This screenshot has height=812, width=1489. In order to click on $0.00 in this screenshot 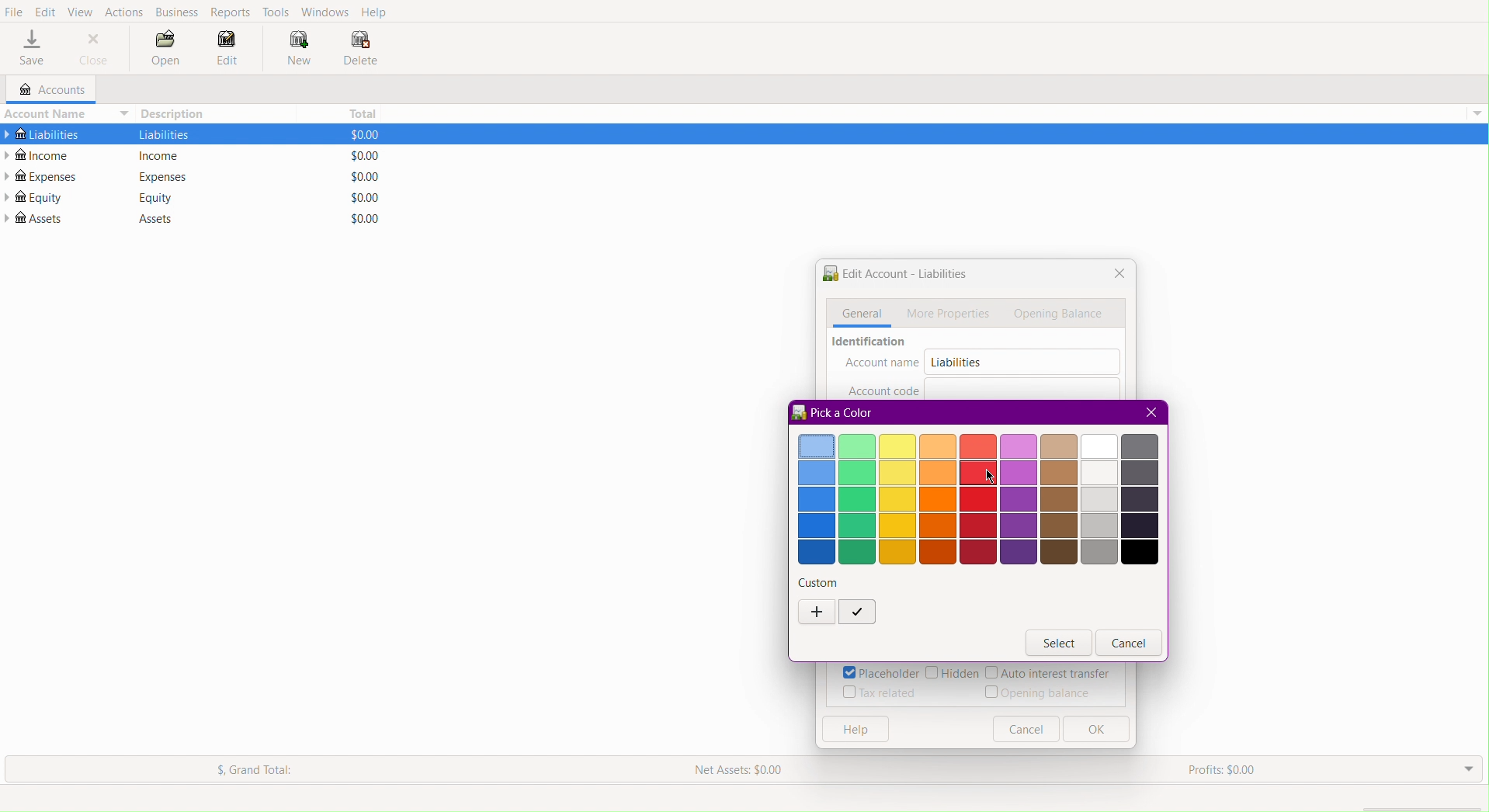, I will do `click(359, 177)`.